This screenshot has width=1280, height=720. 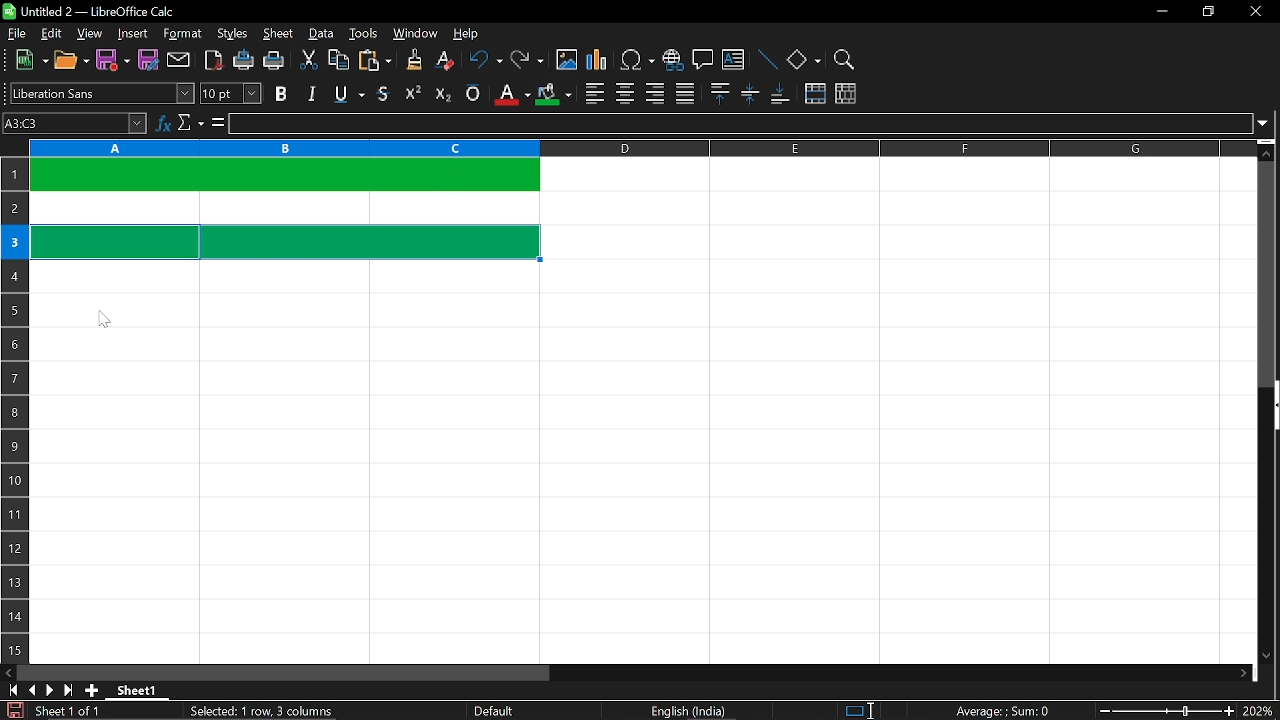 I want to click on function wizard, so click(x=163, y=124).